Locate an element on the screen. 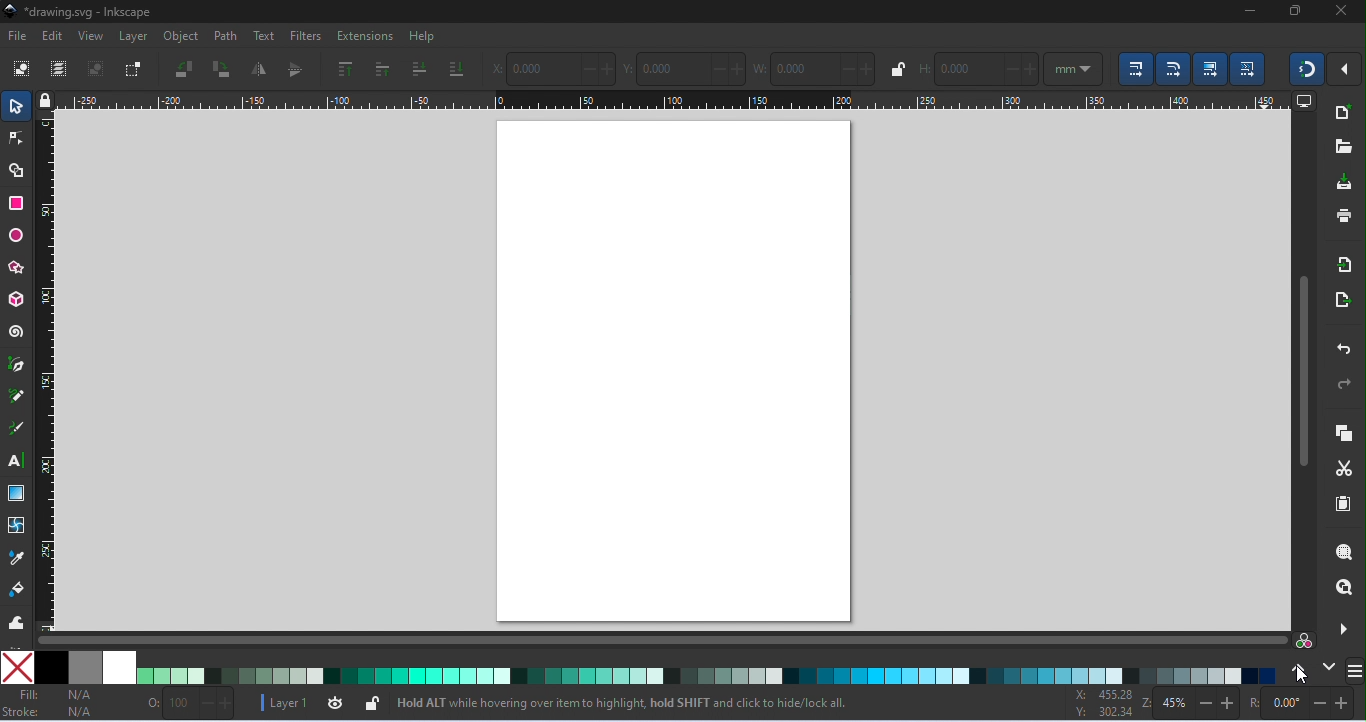 The image size is (1366, 722). flip vertical is located at coordinates (295, 69).